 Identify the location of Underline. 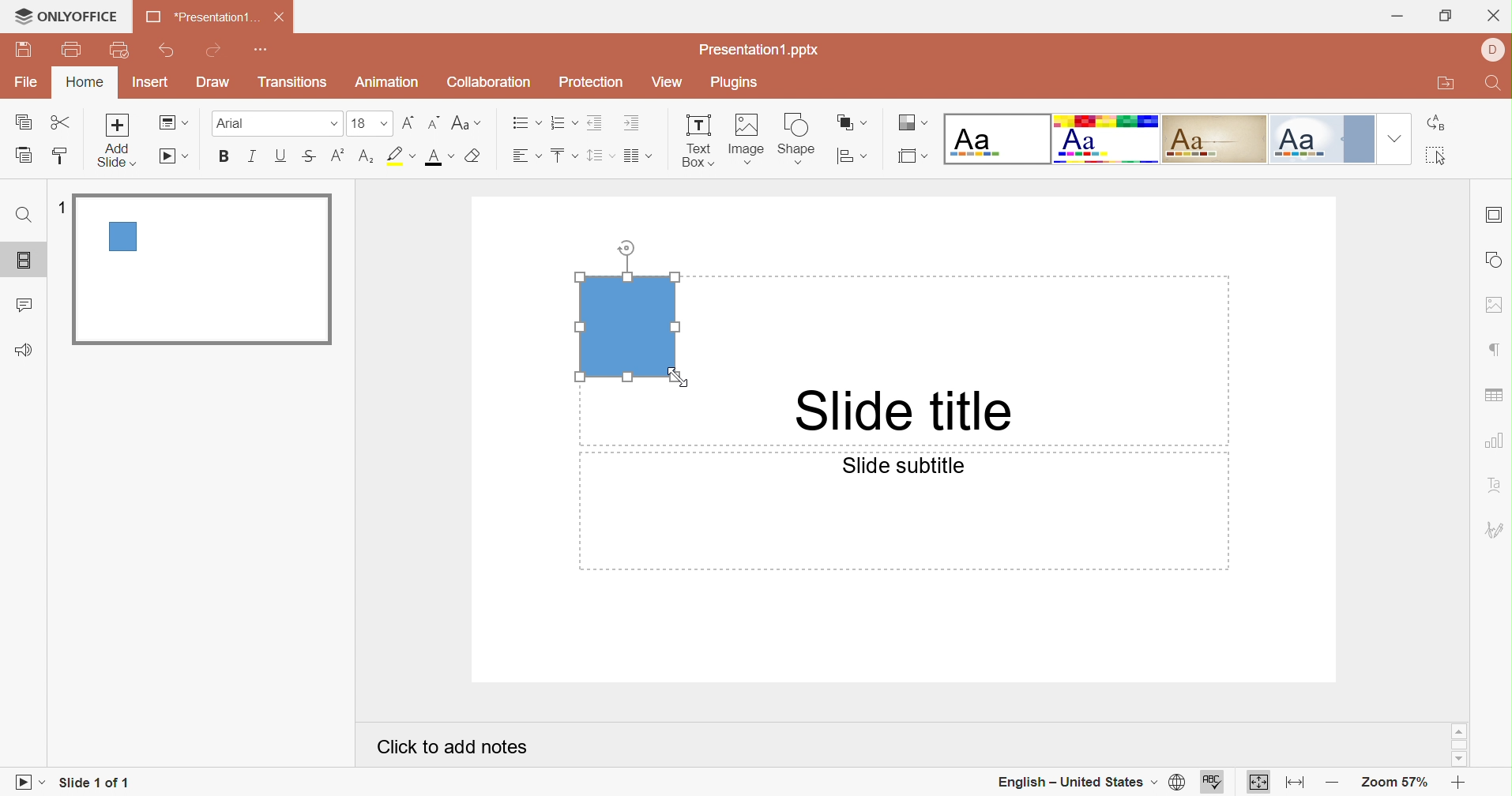
(278, 157).